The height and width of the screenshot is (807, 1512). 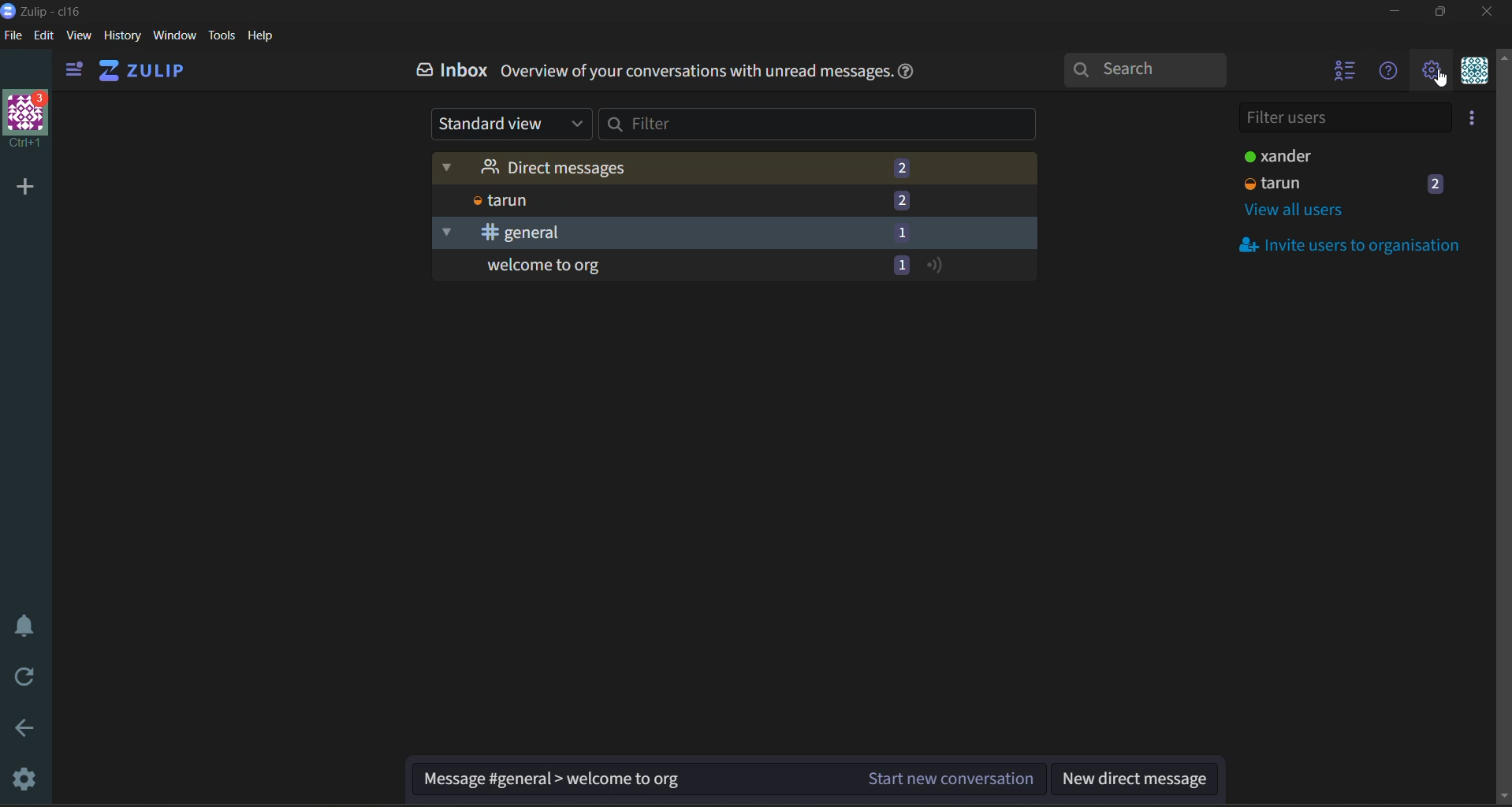 What do you see at coordinates (655, 265) in the screenshot?
I see `welcome to org` at bounding box center [655, 265].